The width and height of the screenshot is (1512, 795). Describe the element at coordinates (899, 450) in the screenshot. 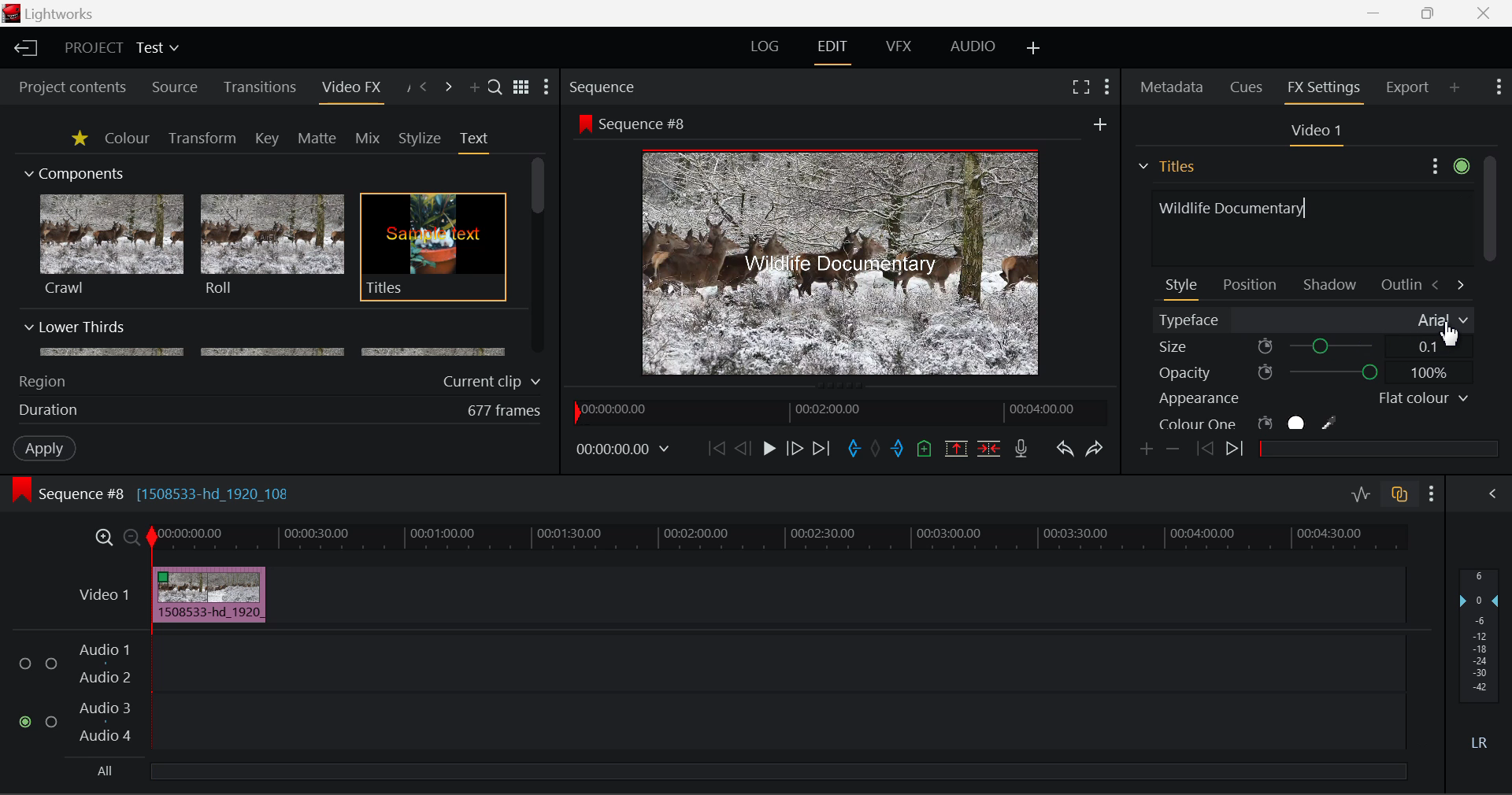

I see `Mark Out` at that location.